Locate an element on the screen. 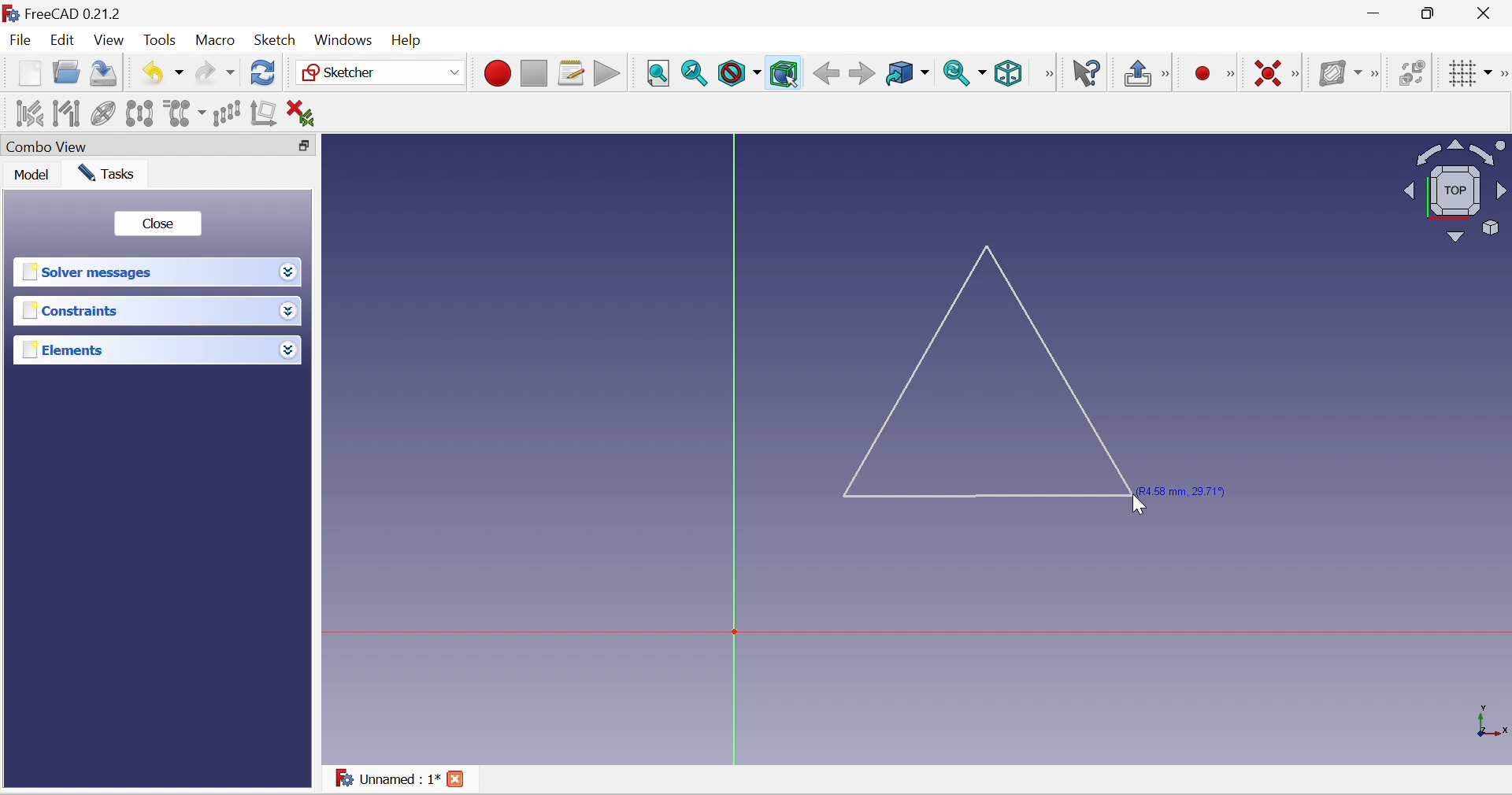 The height and width of the screenshot is (795, 1512). [Sketcher geometries] is located at coordinates (1232, 76).